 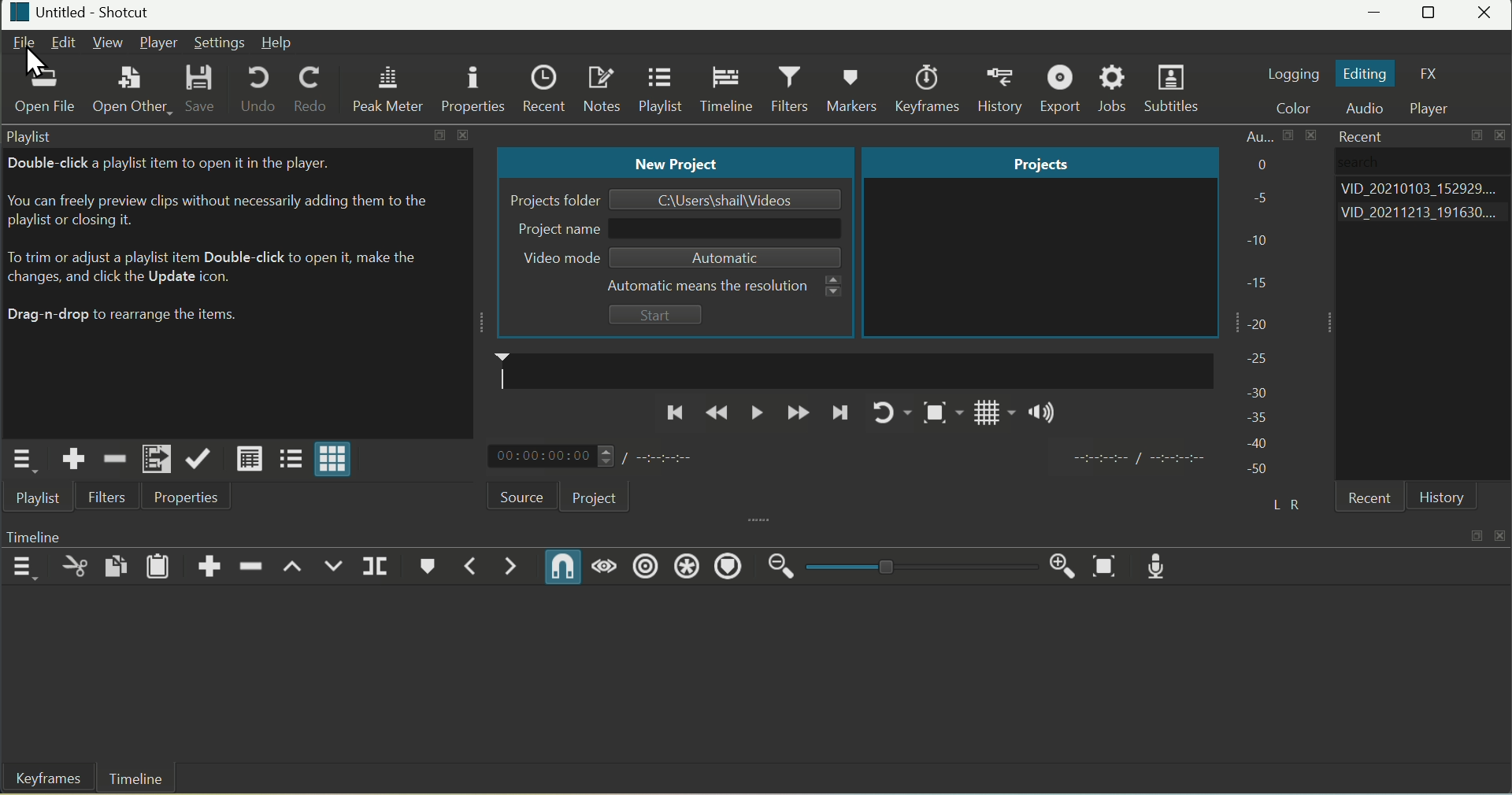 I want to click on Copy, so click(x=118, y=564).